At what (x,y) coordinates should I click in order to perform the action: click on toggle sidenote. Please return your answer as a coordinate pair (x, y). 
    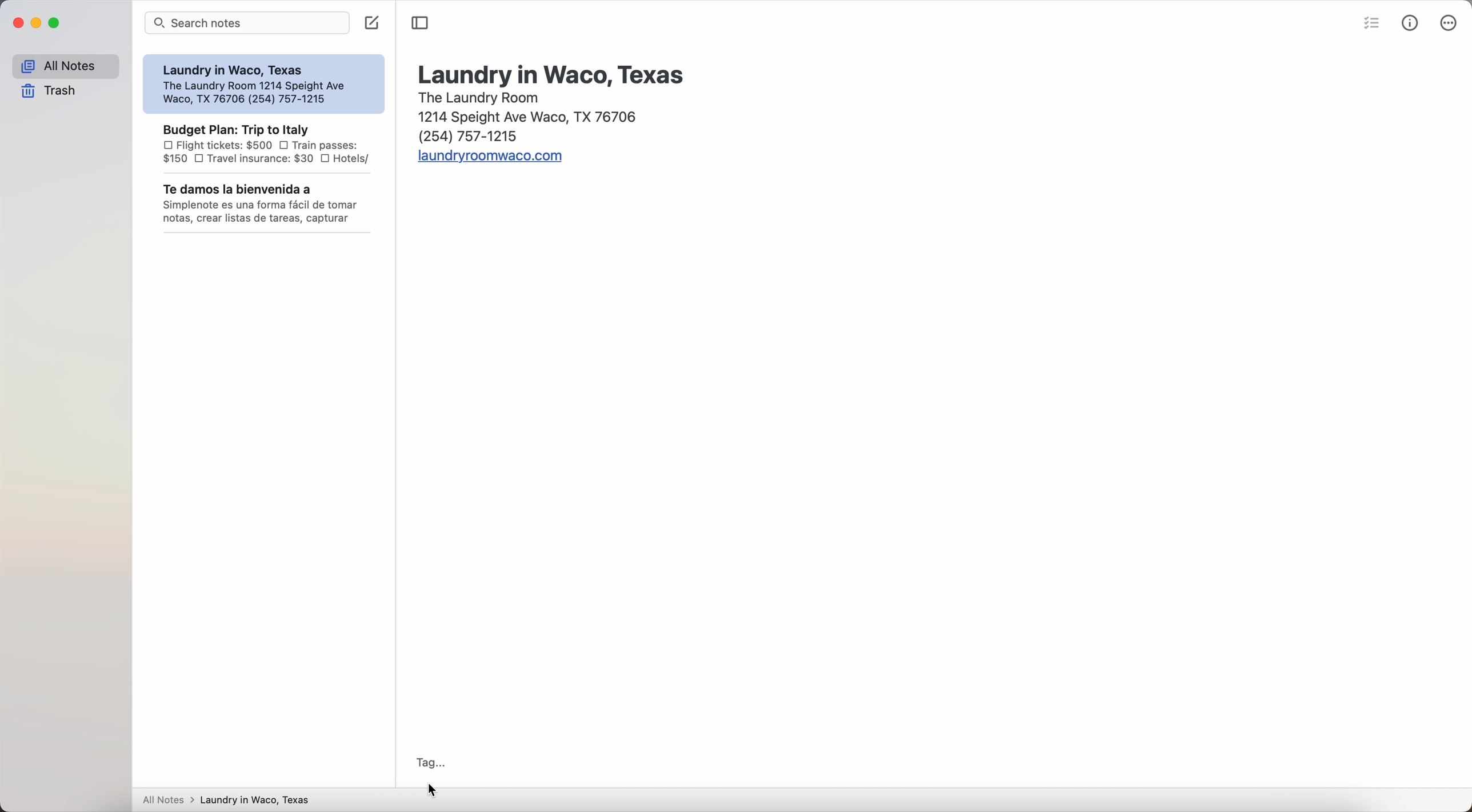
    Looking at the image, I should click on (419, 23).